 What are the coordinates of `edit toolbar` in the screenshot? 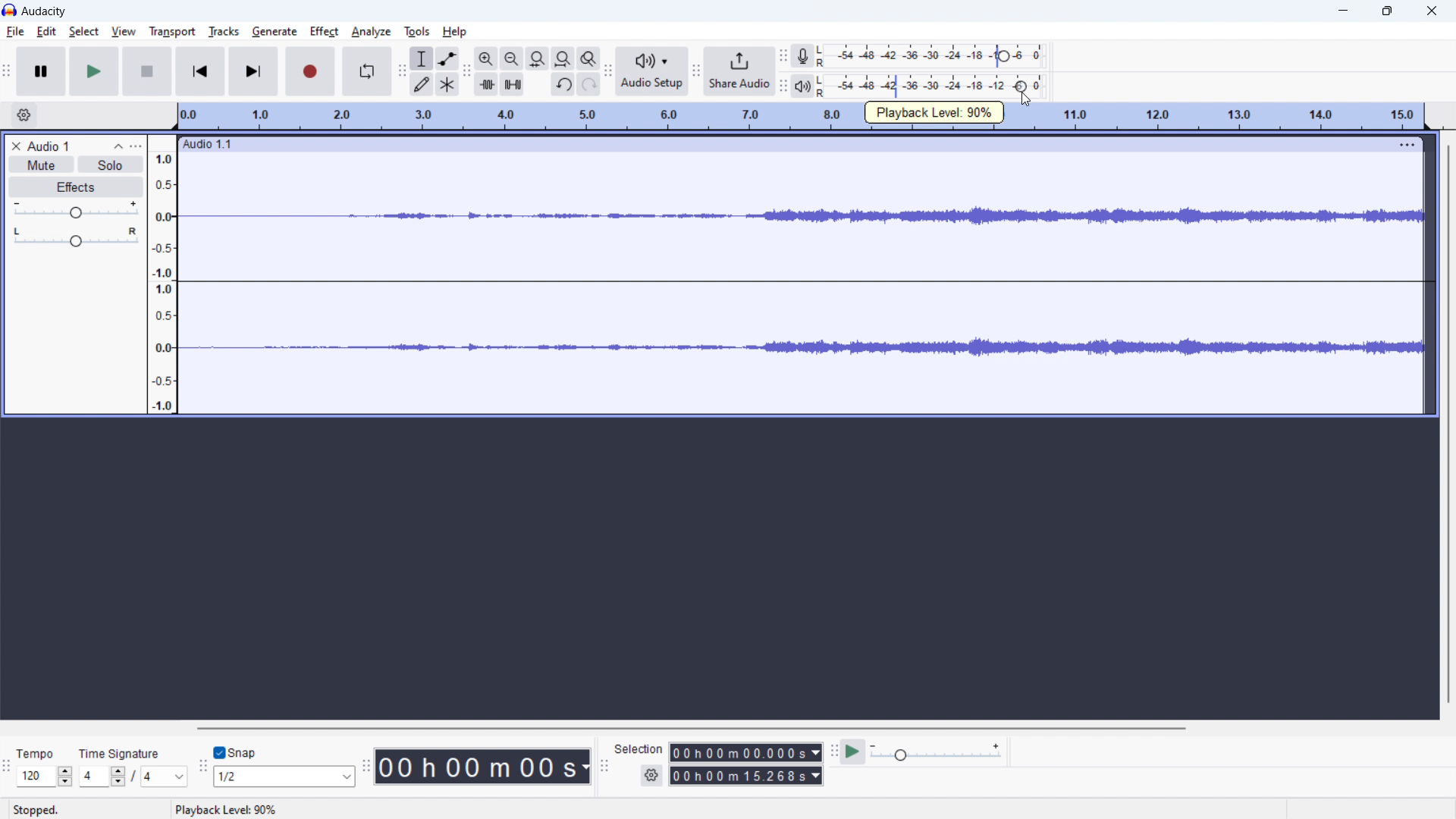 It's located at (466, 71).